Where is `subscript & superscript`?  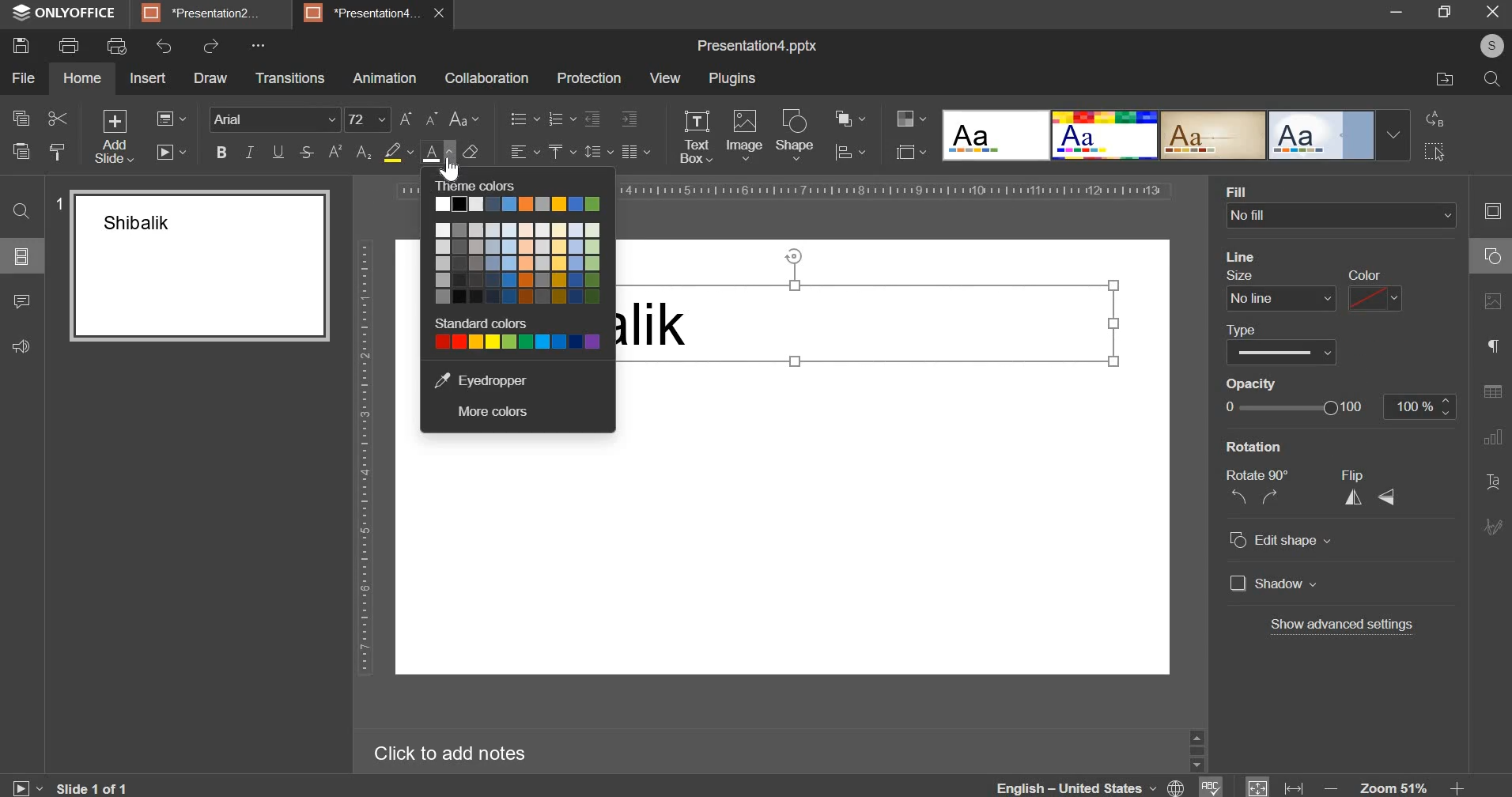 subscript & superscript is located at coordinates (350, 152).